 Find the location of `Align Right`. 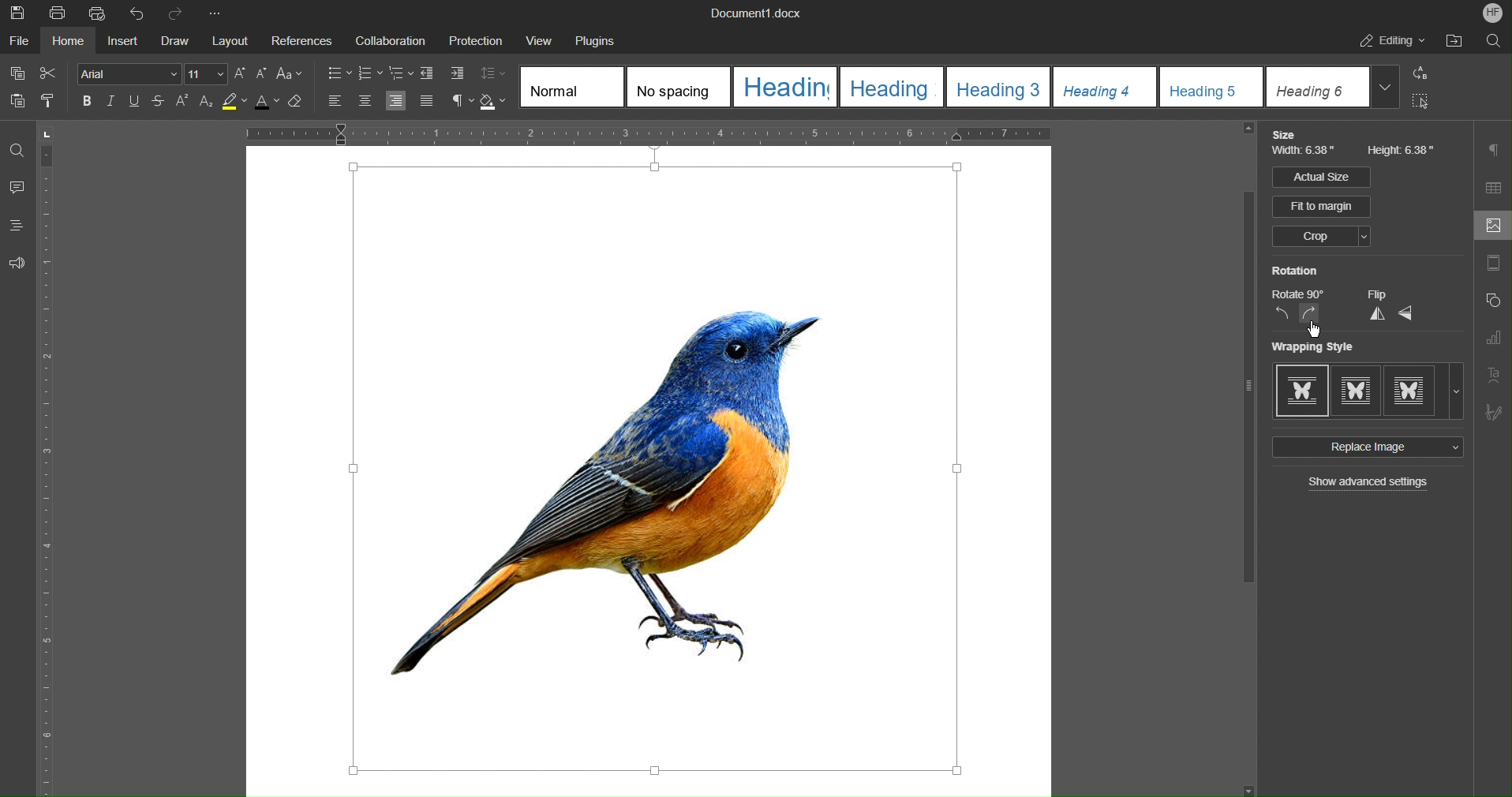

Align Right is located at coordinates (398, 101).